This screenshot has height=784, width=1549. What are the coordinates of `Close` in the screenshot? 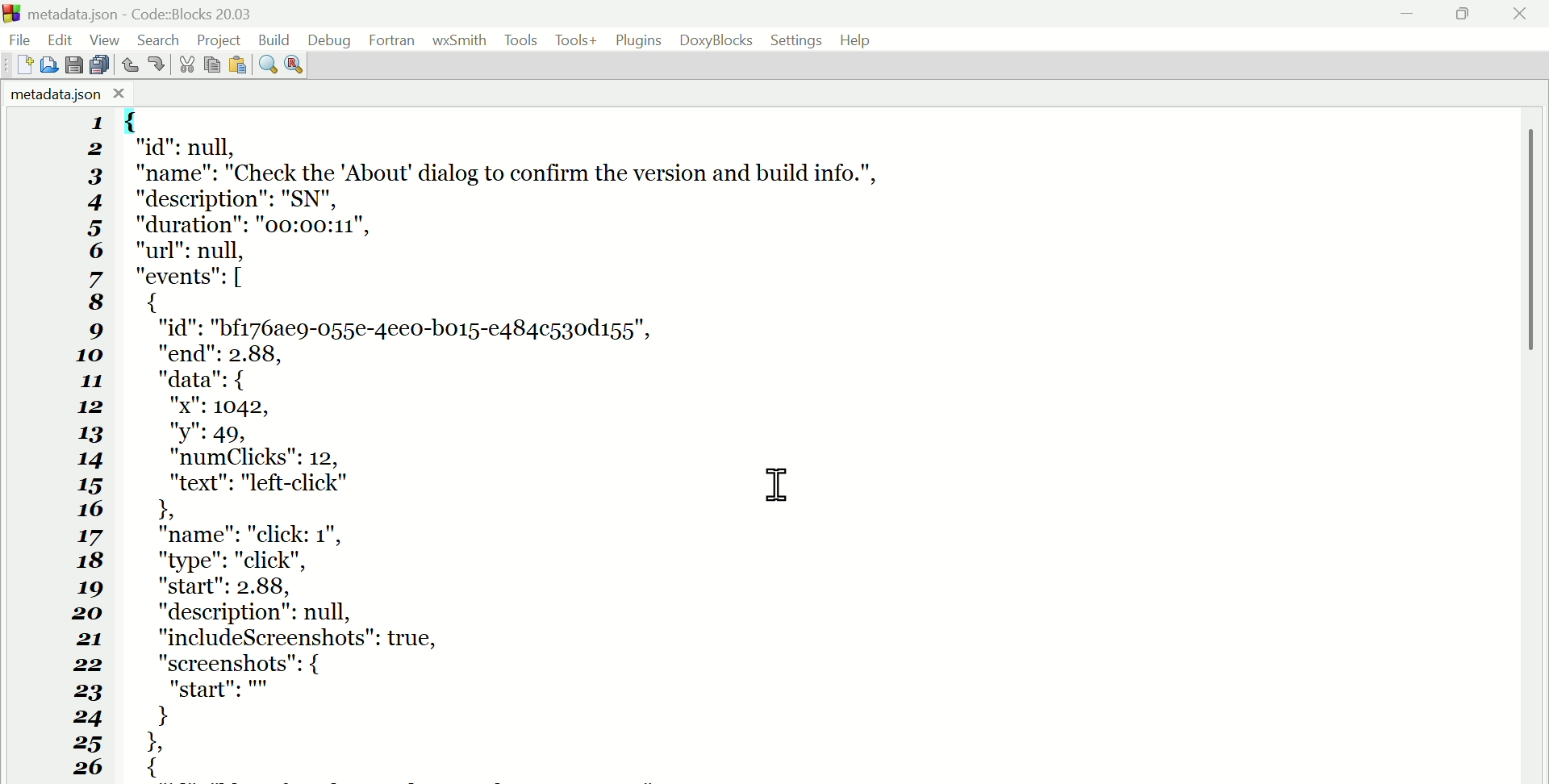 It's located at (1521, 15).